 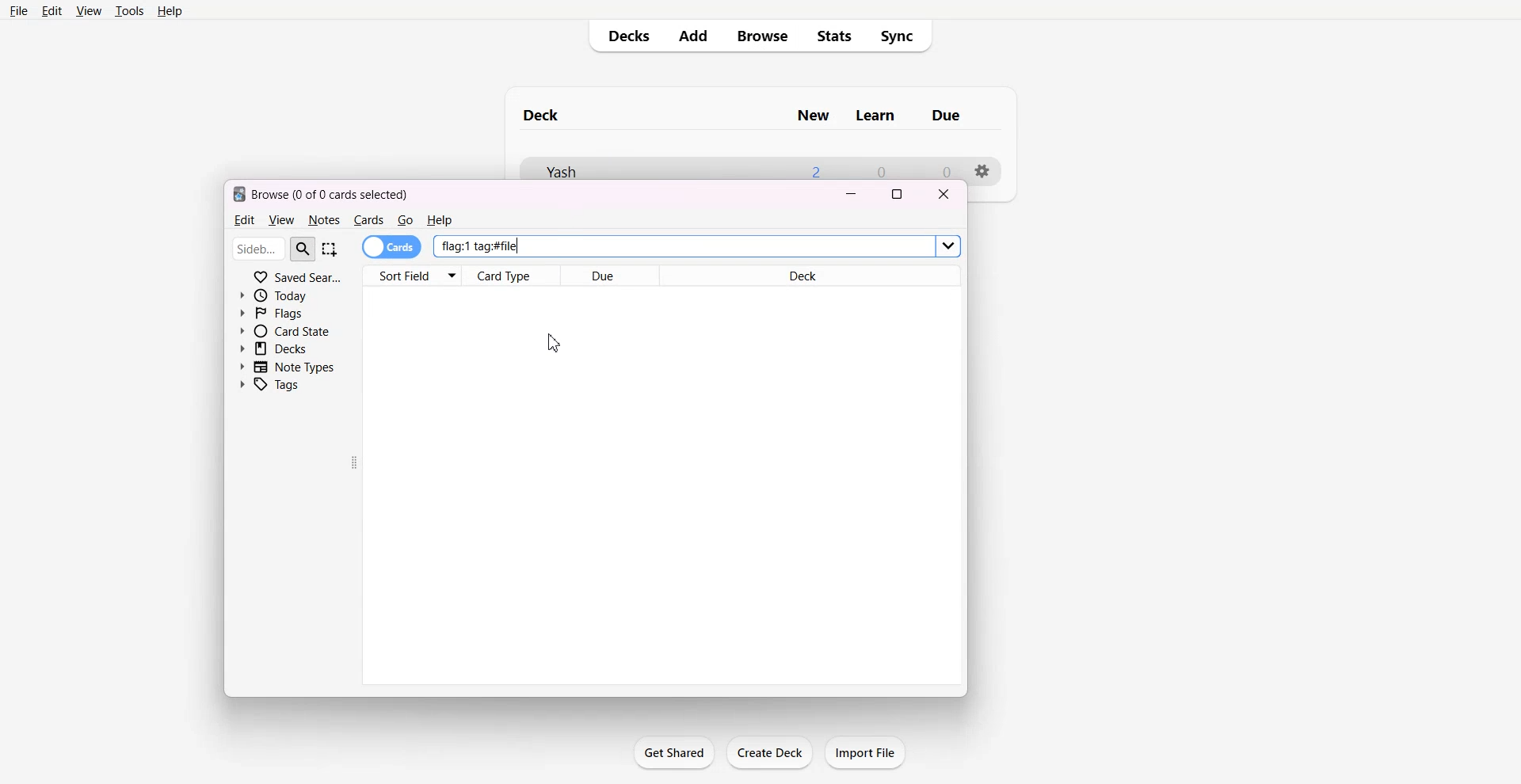 What do you see at coordinates (625, 37) in the screenshot?
I see `Decks` at bounding box center [625, 37].